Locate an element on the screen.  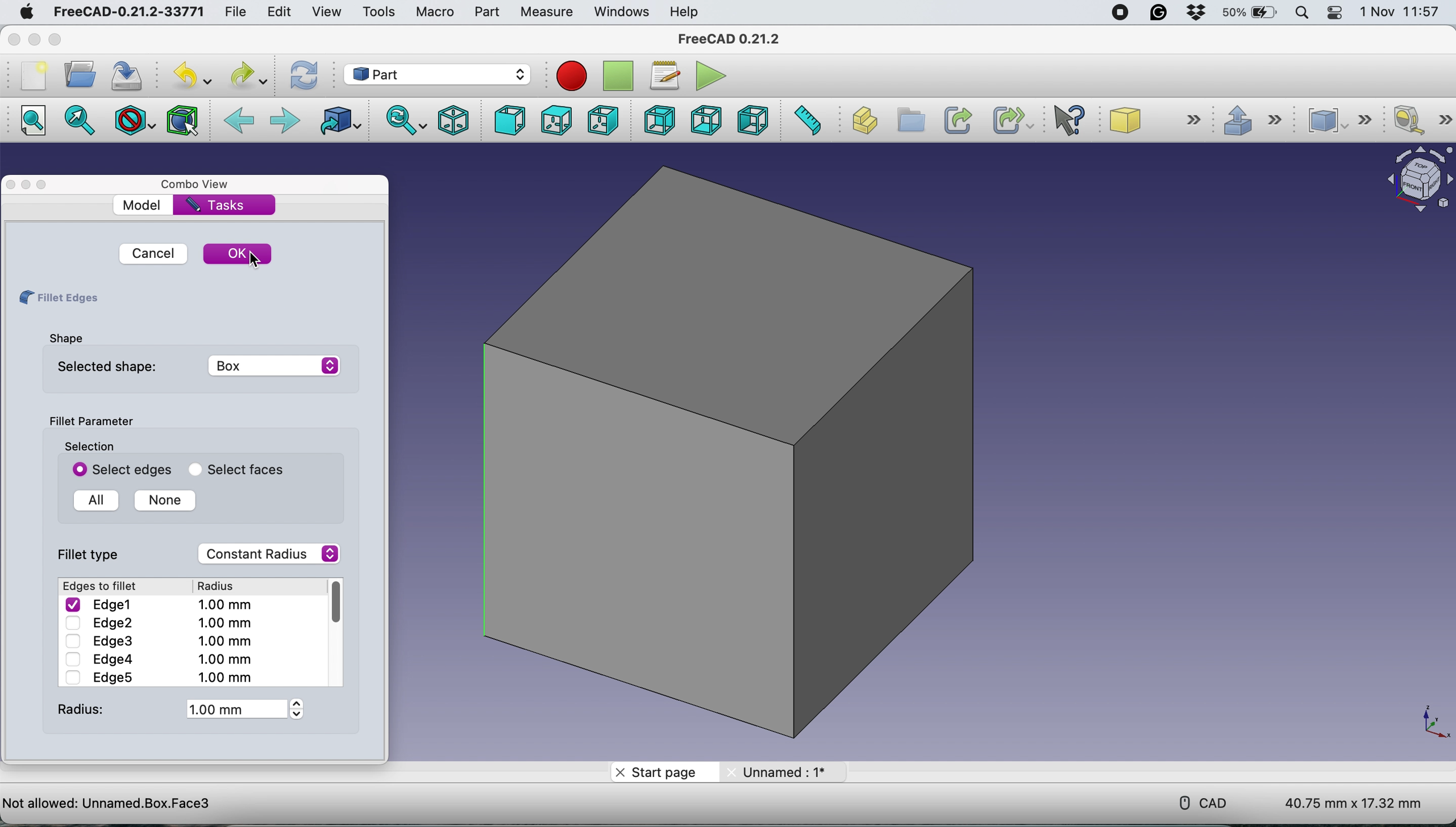
execute macros is located at coordinates (710, 74).